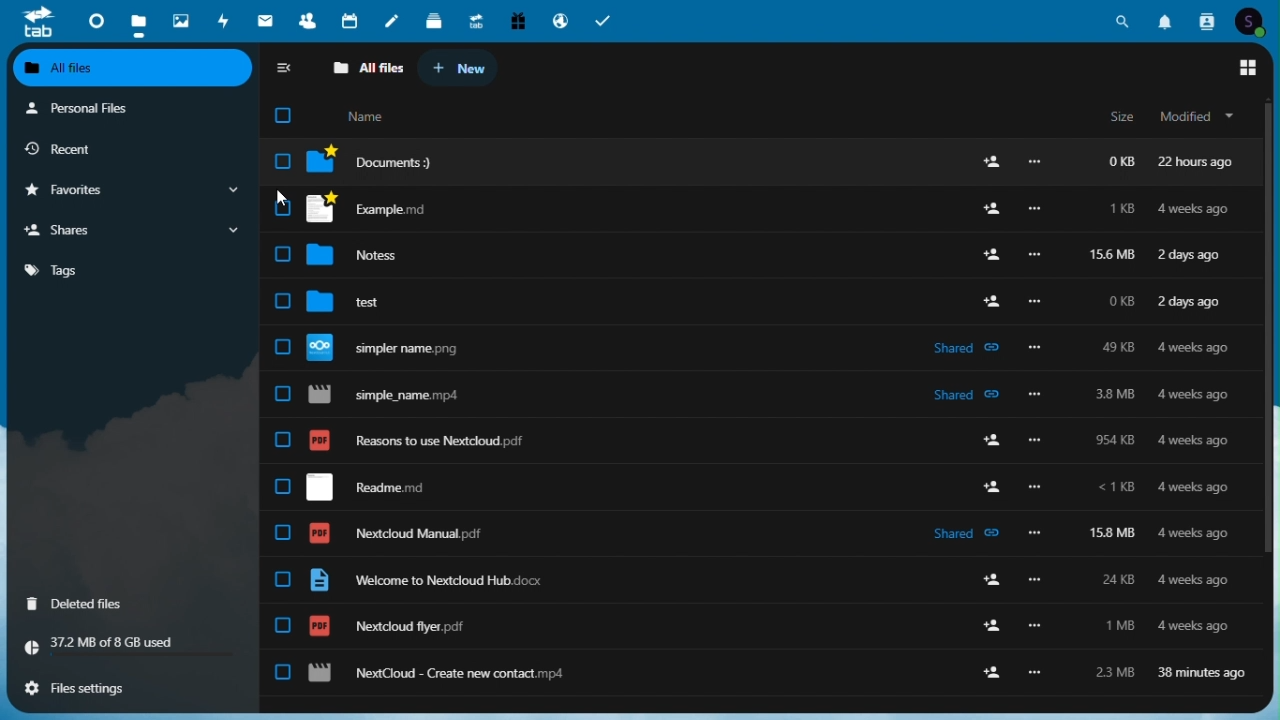 This screenshot has height=720, width=1280. I want to click on more options, so click(1038, 627).